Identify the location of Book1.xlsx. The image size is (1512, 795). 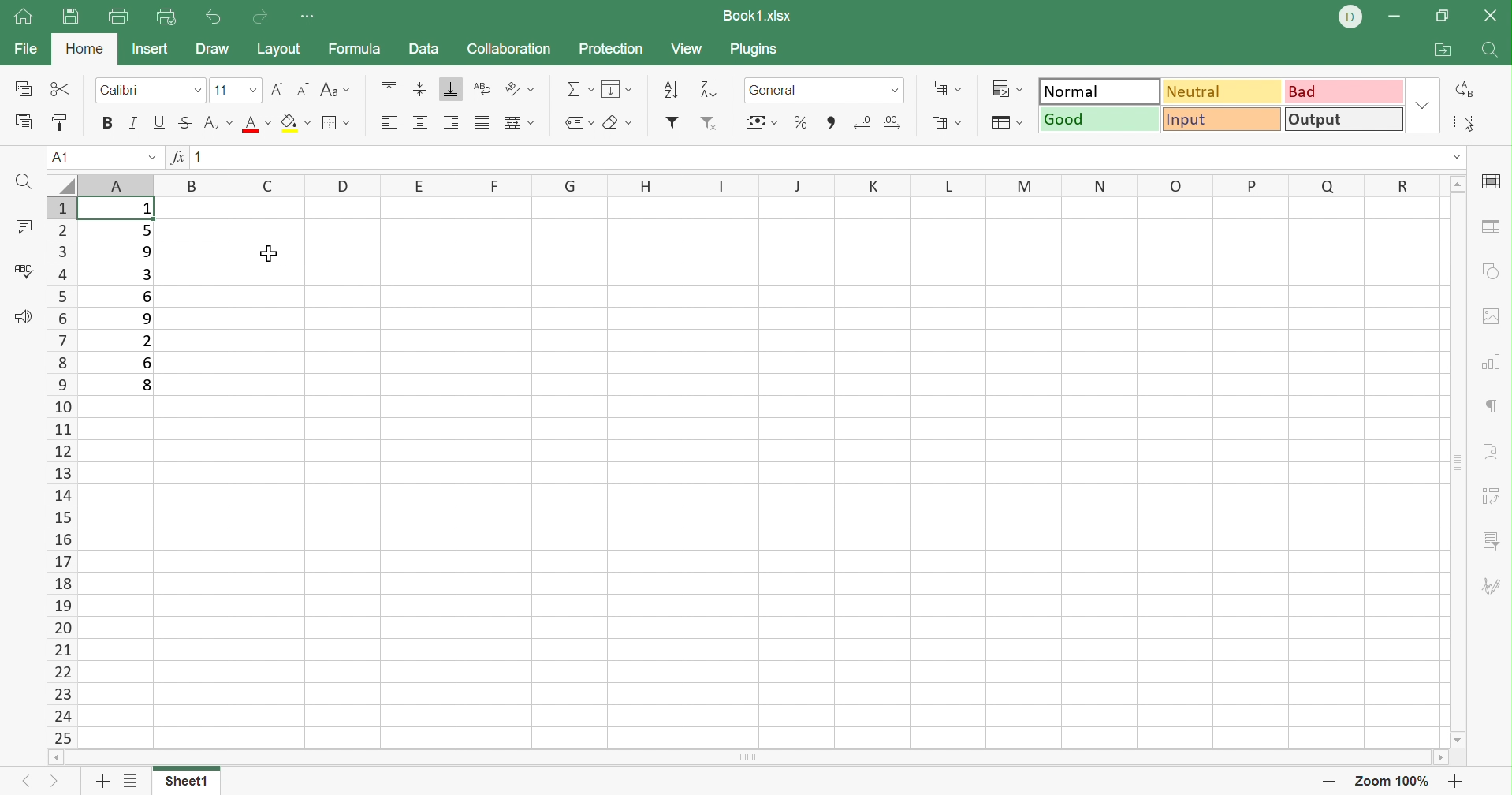
(758, 17).